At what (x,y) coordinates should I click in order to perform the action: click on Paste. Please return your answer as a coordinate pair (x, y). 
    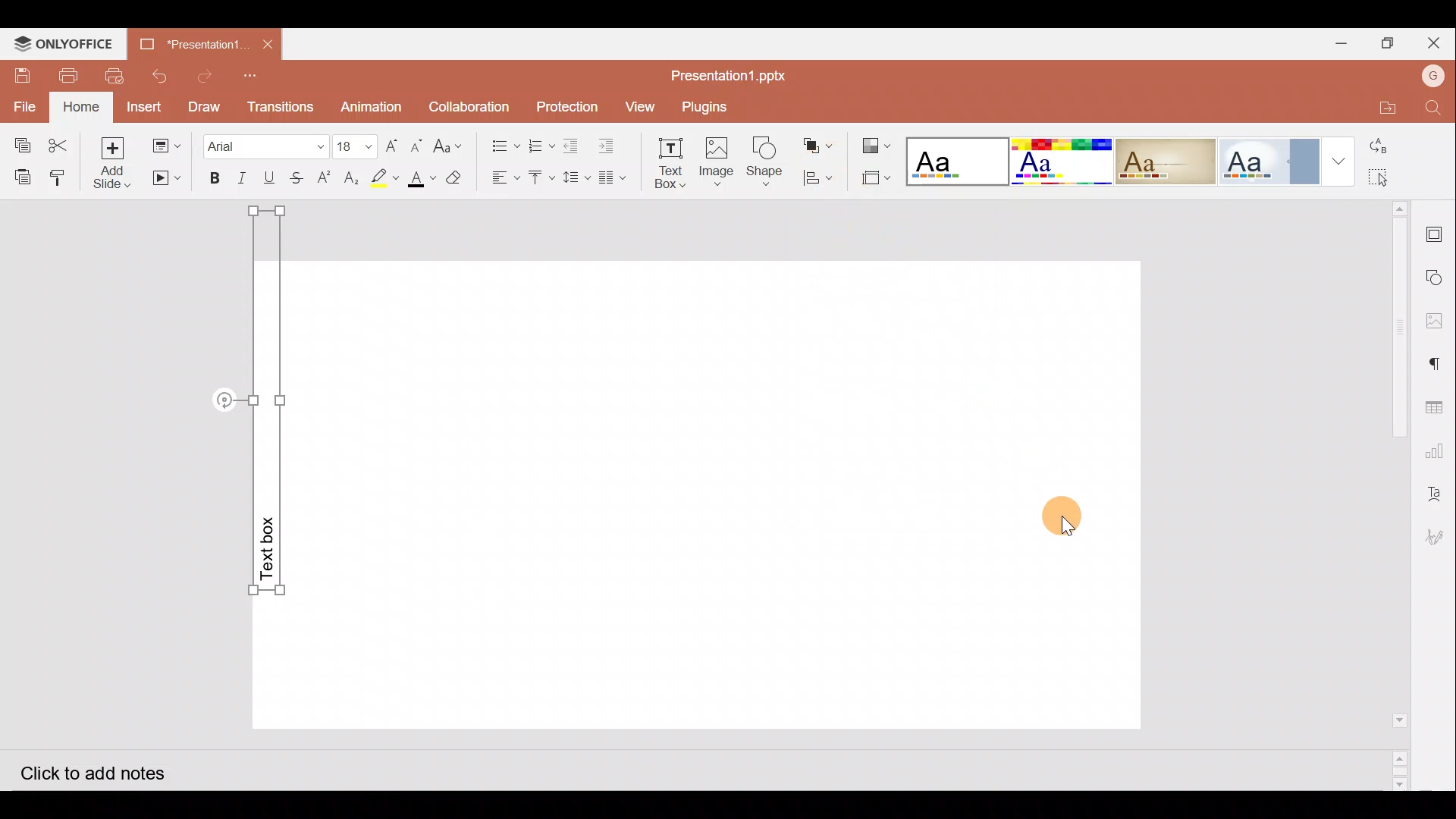
    Looking at the image, I should click on (20, 175).